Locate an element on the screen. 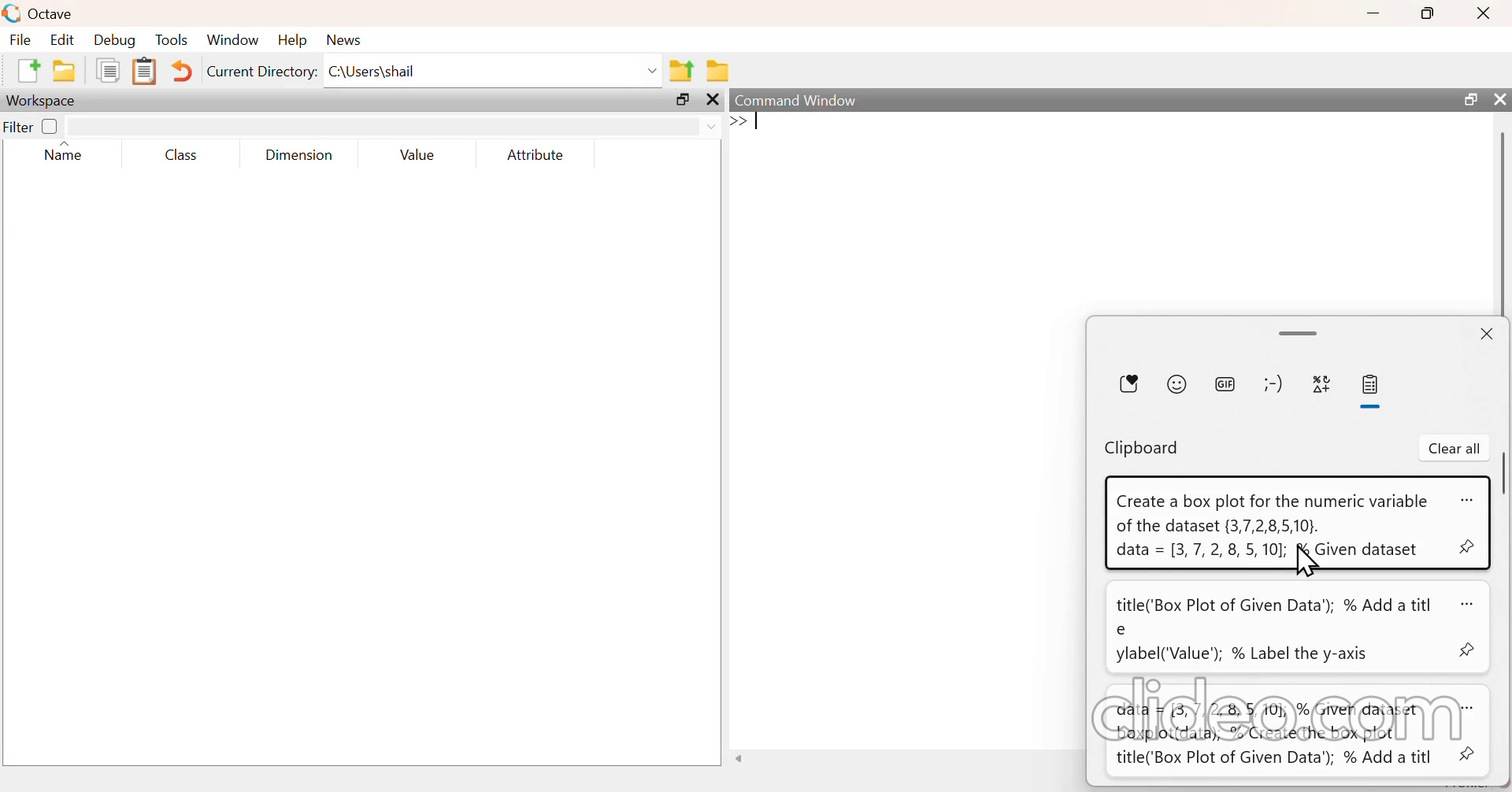 This screenshot has width=1512, height=792. filter is located at coordinates (32, 126).